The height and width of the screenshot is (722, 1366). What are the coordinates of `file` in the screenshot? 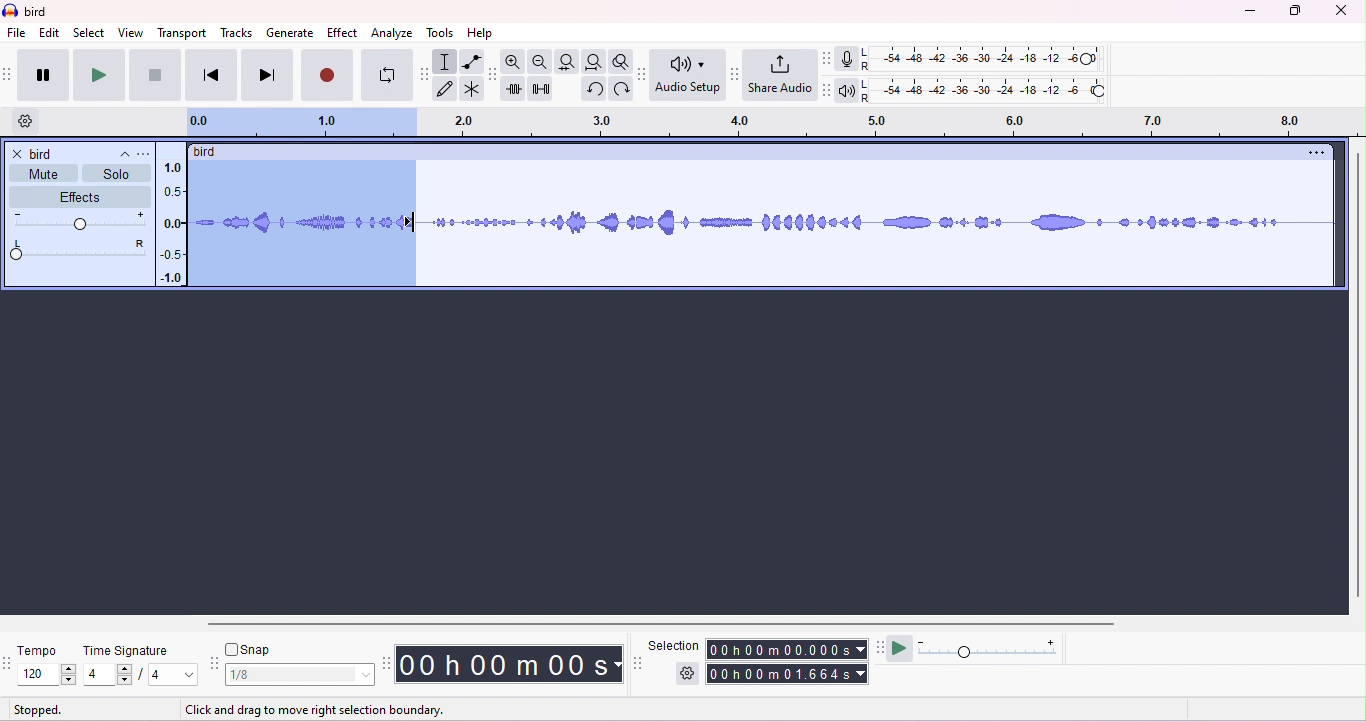 It's located at (16, 32).